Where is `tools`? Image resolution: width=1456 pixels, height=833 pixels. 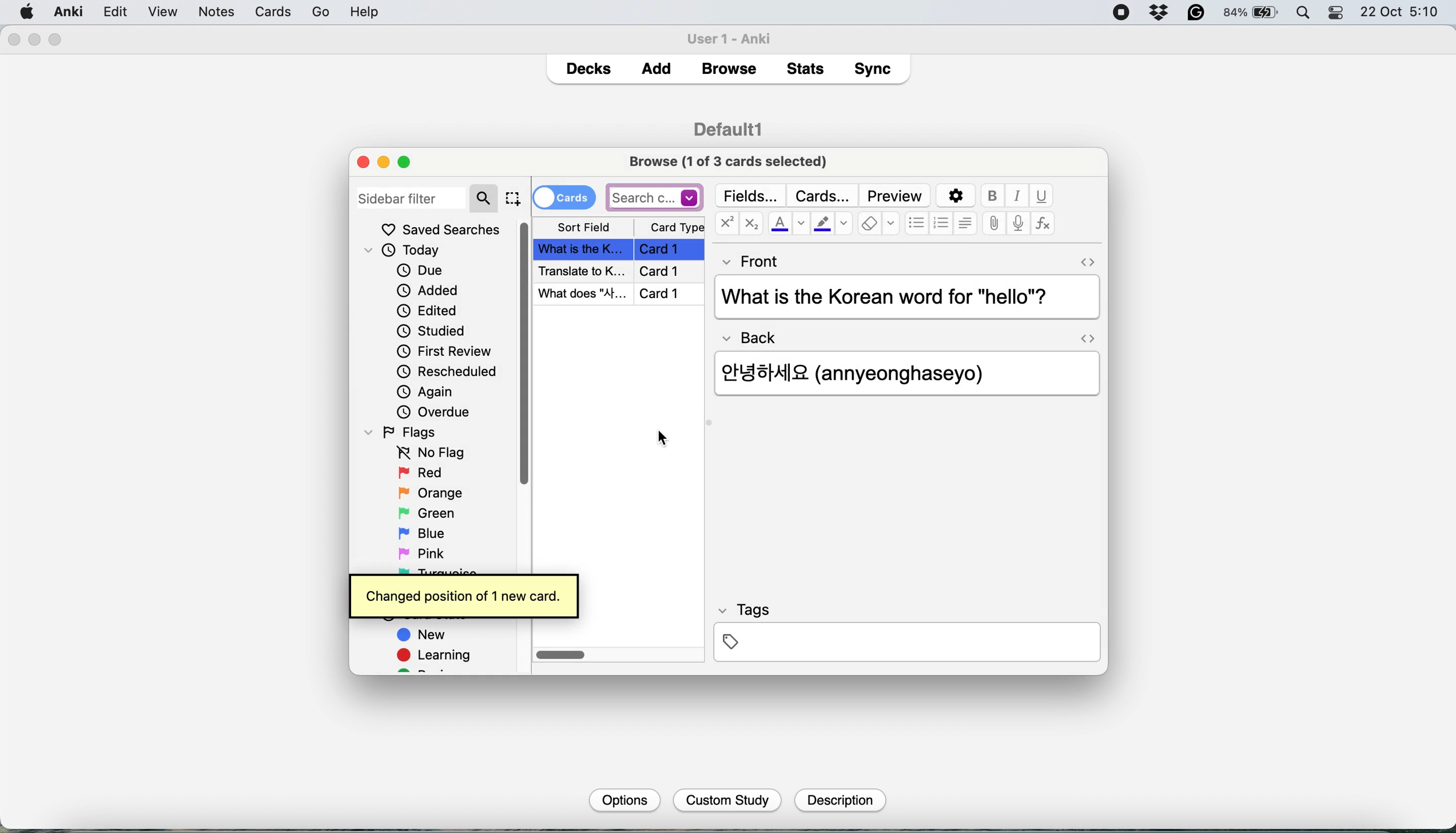 tools is located at coordinates (253, 11).